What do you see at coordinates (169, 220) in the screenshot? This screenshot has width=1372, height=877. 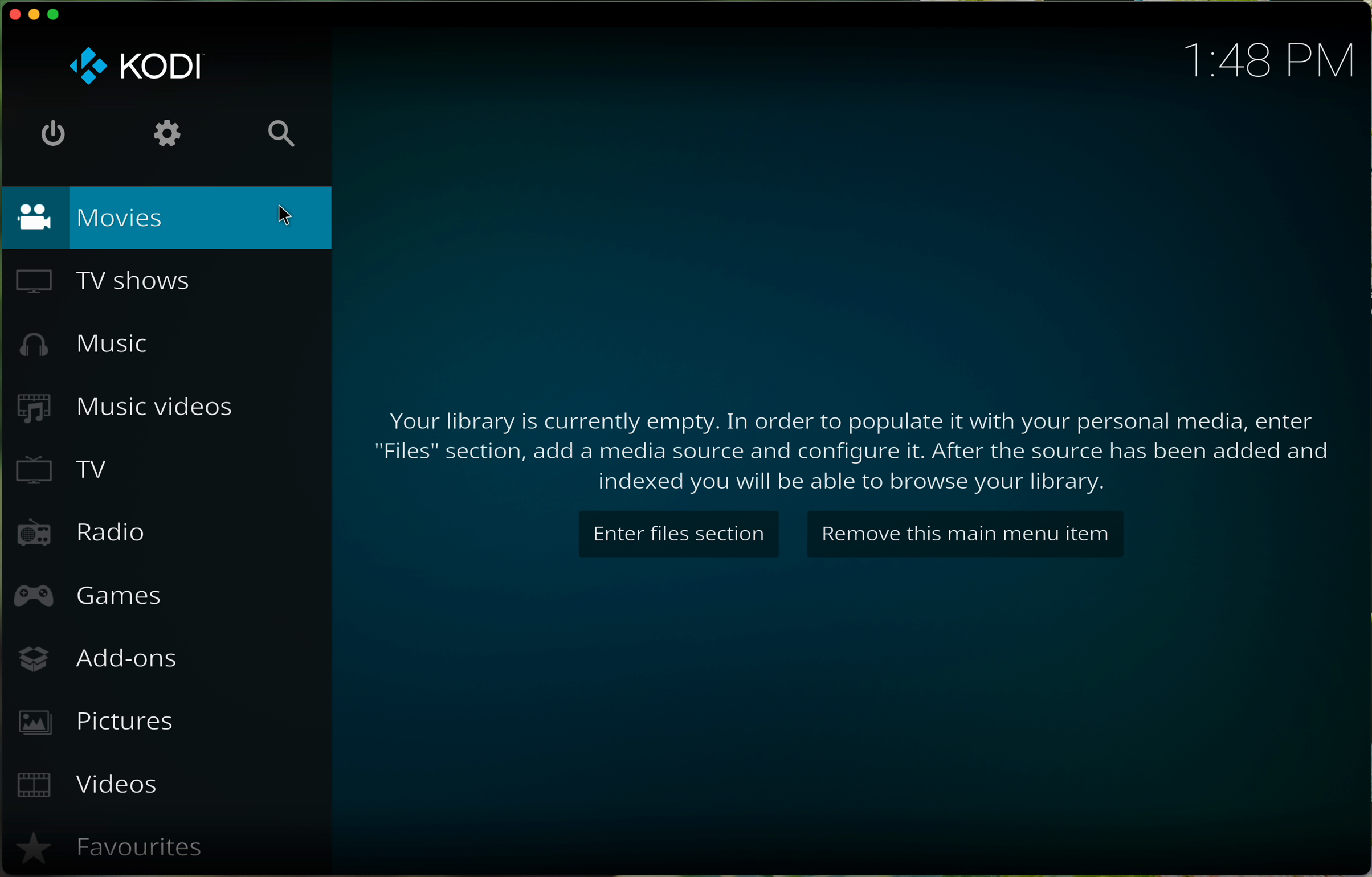 I see `movies` at bounding box center [169, 220].